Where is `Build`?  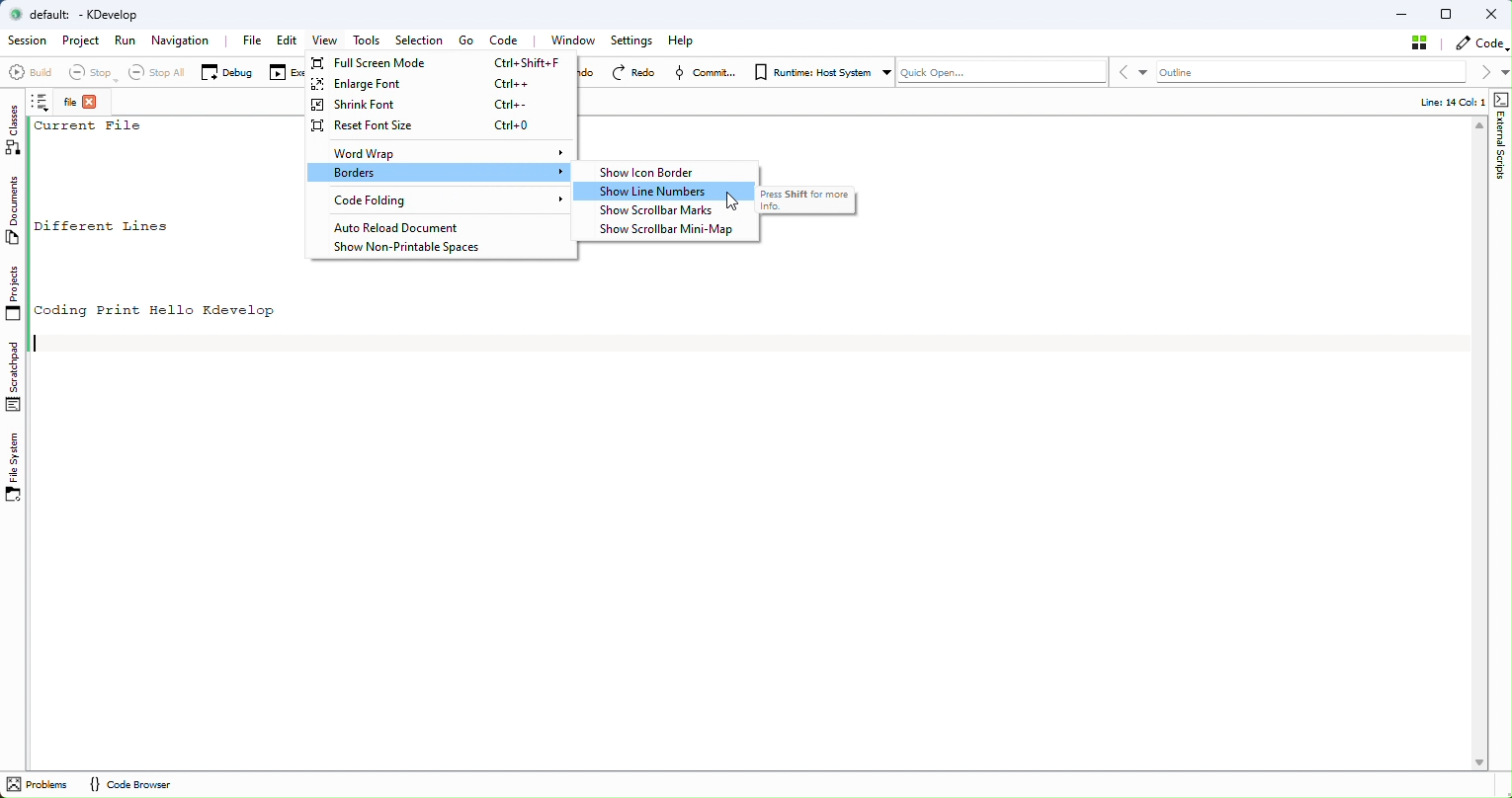
Build is located at coordinates (30, 75).